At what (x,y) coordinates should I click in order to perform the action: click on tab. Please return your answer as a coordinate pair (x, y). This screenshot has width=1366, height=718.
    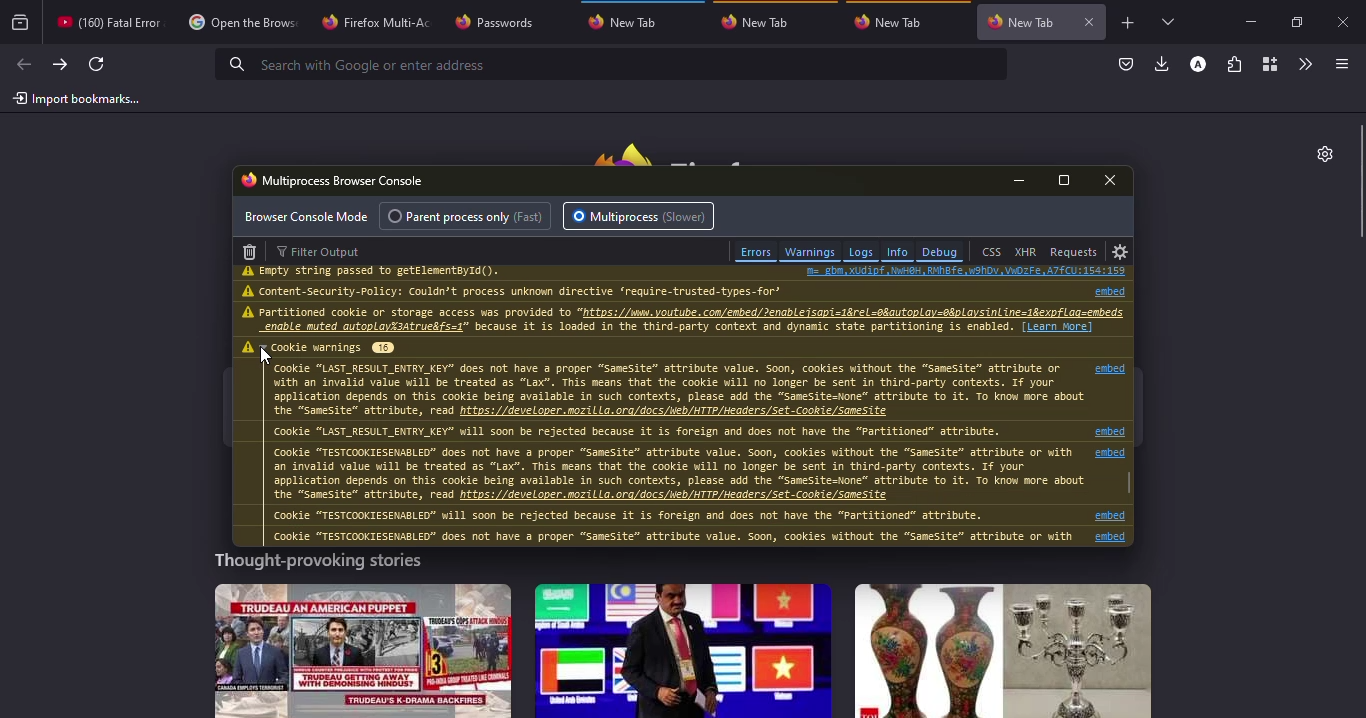
    Looking at the image, I should click on (375, 21).